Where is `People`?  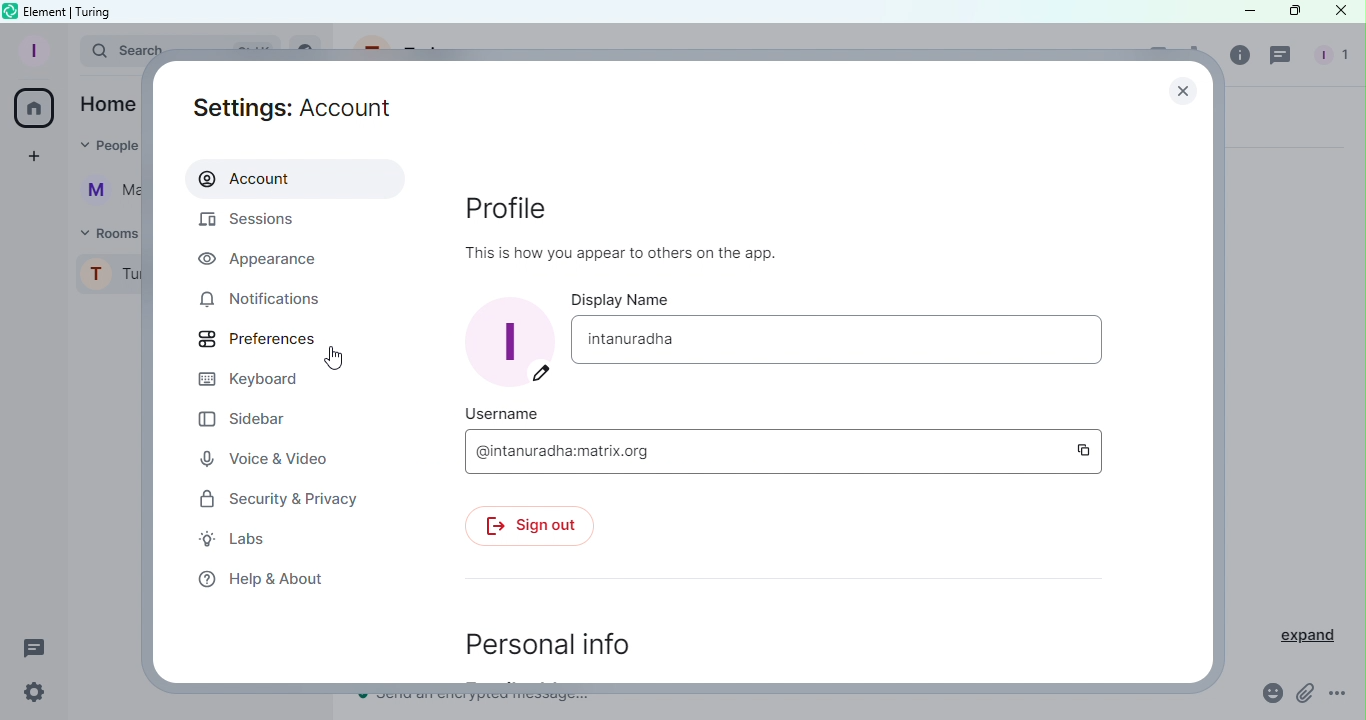
People is located at coordinates (1328, 57).